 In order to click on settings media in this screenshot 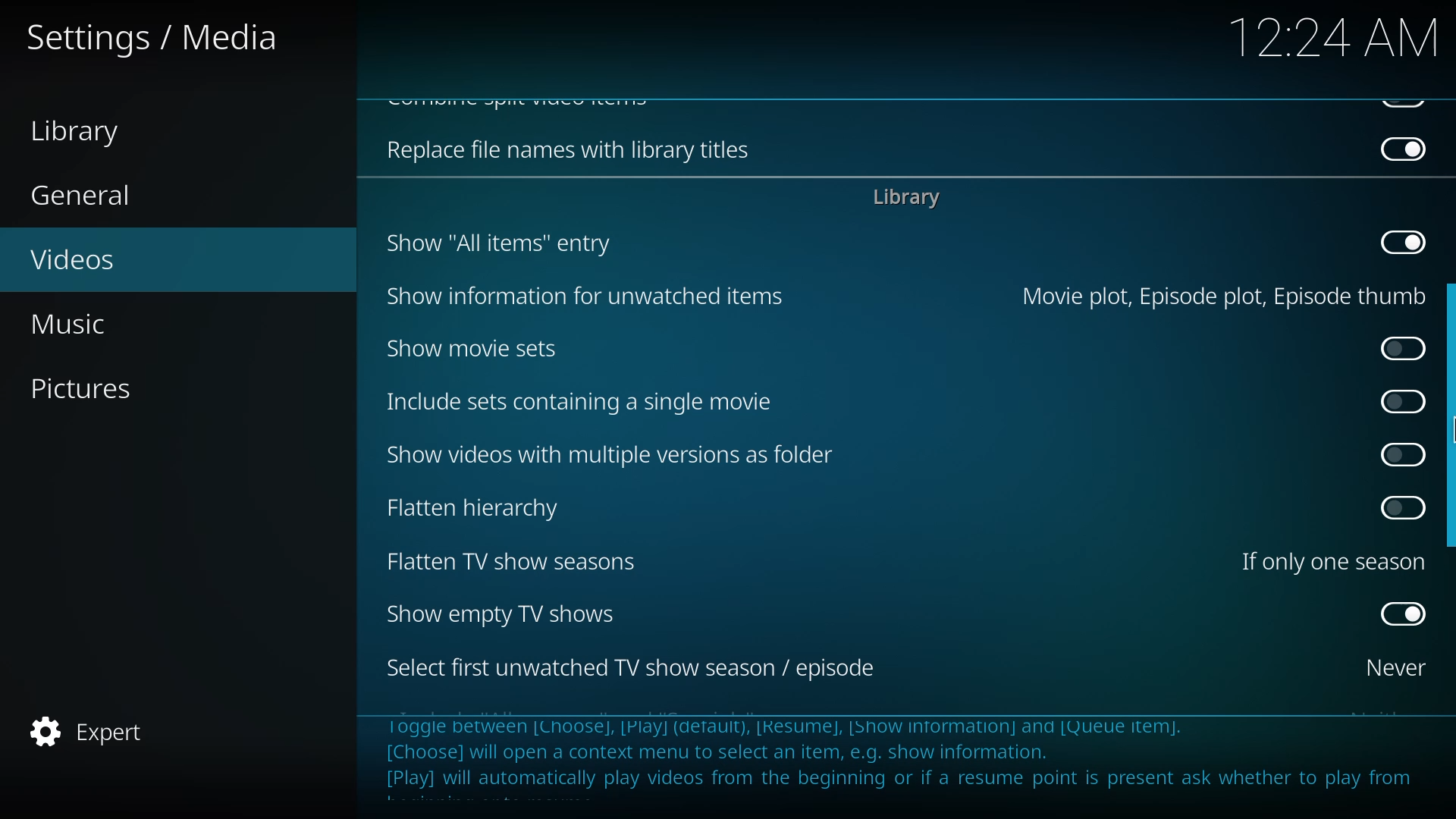, I will do `click(161, 36)`.